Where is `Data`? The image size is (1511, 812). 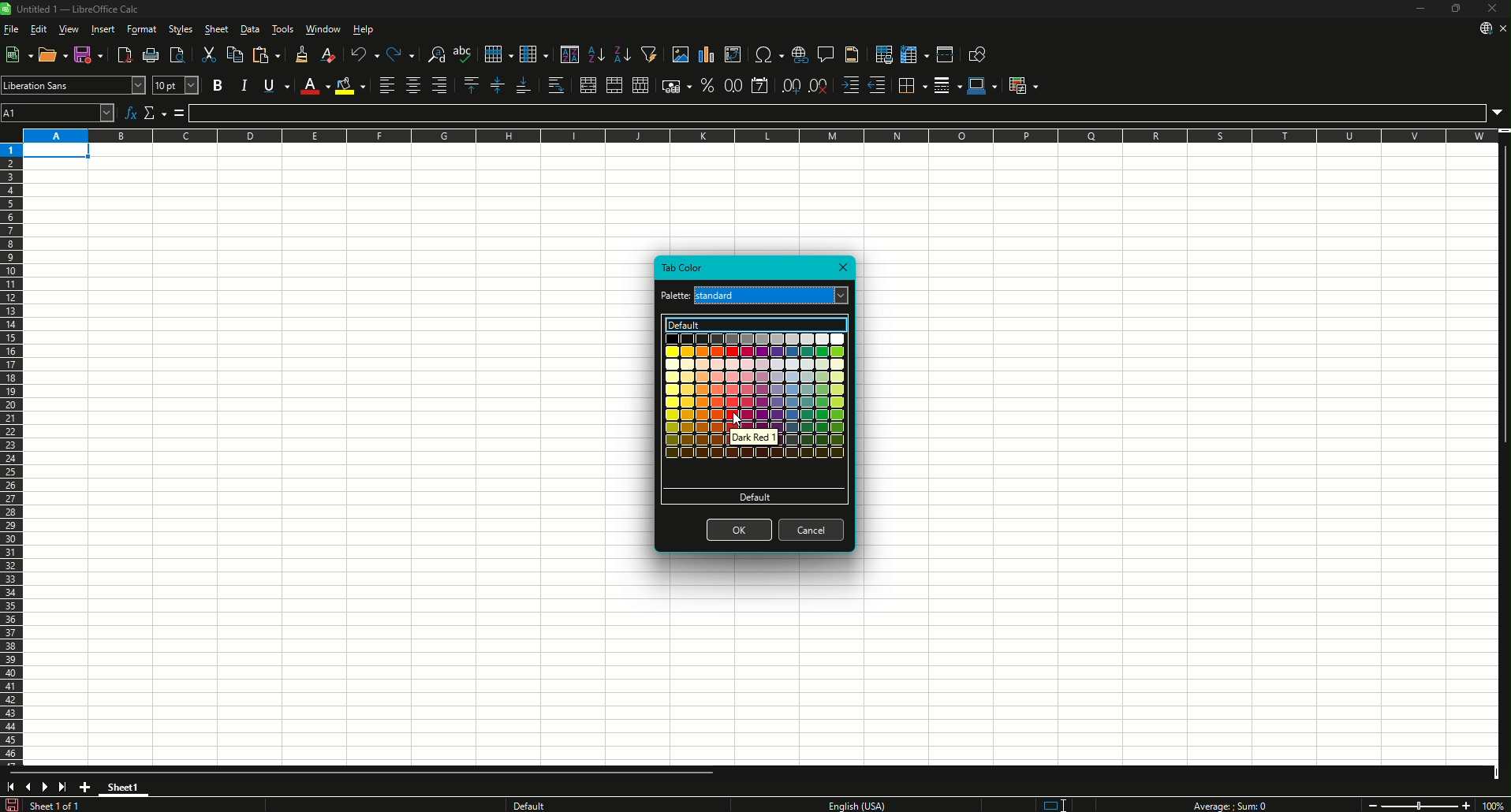 Data is located at coordinates (249, 28).